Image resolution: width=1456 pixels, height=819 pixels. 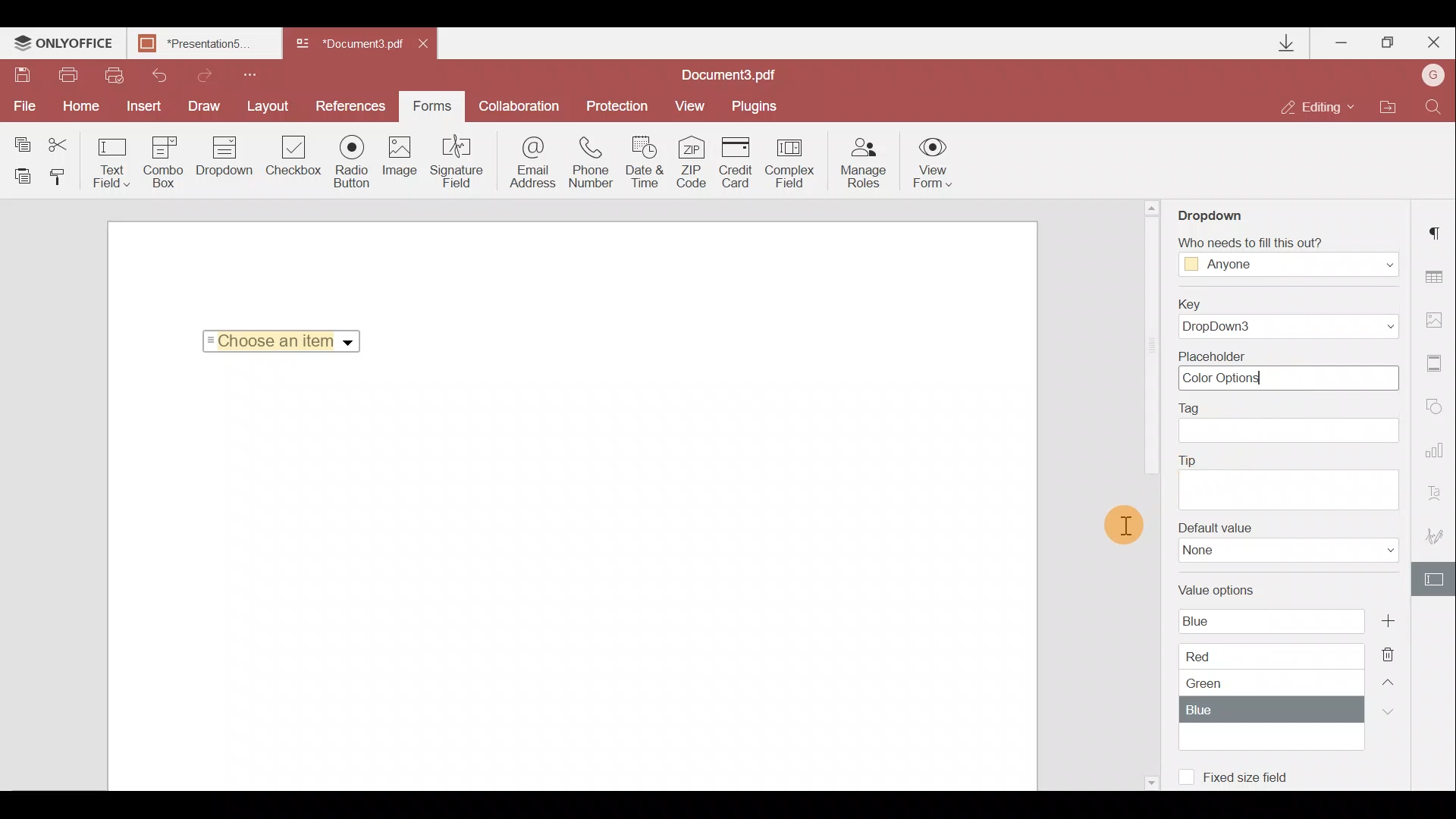 What do you see at coordinates (593, 162) in the screenshot?
I see `Phone number` at bounding box center [593, 162].